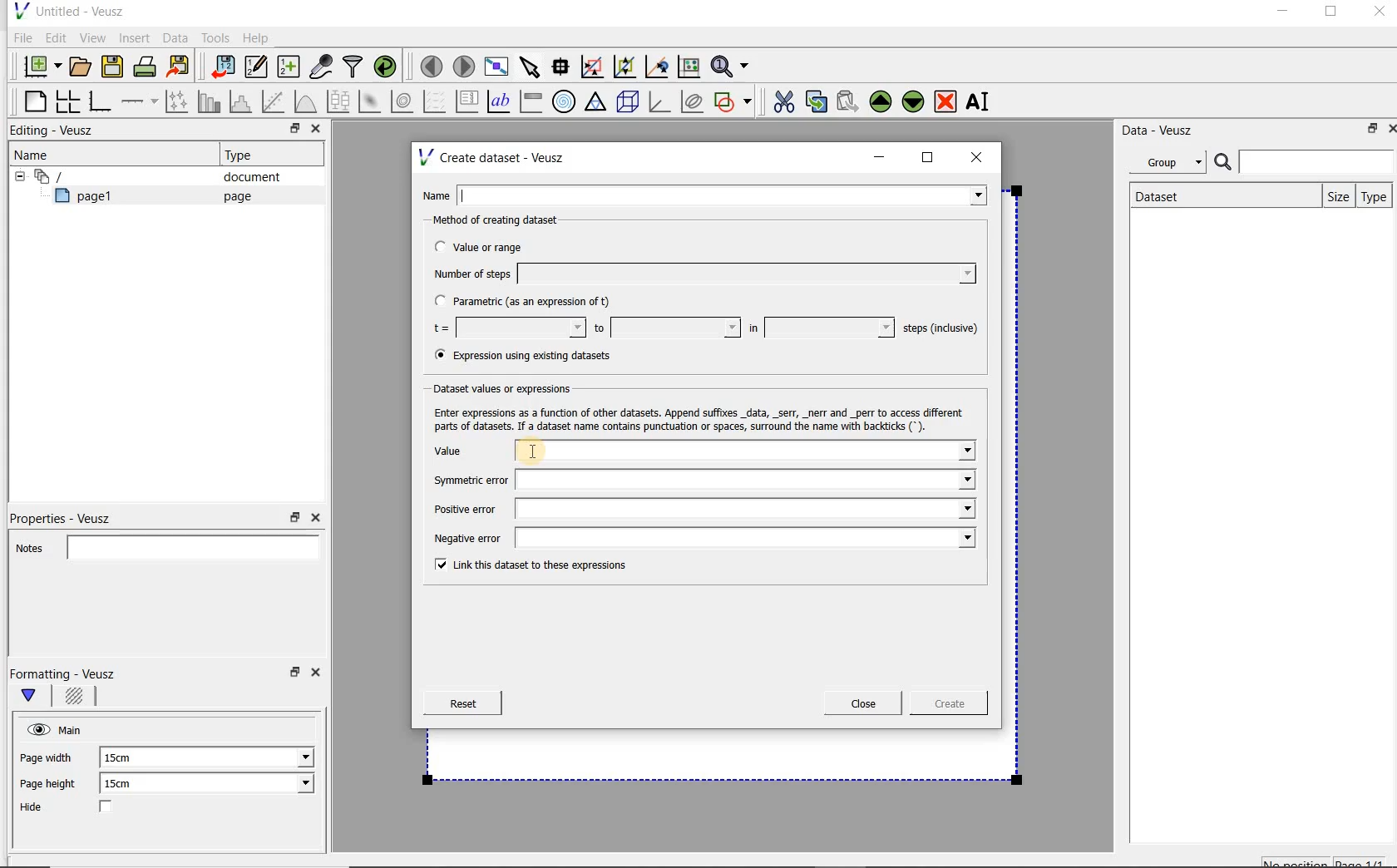 This screenshot has width=1397, height=868. What do you see at coordinates (495, 65) in the screenshot?
I see `view plot full screen` at bounding box center [495, 65].